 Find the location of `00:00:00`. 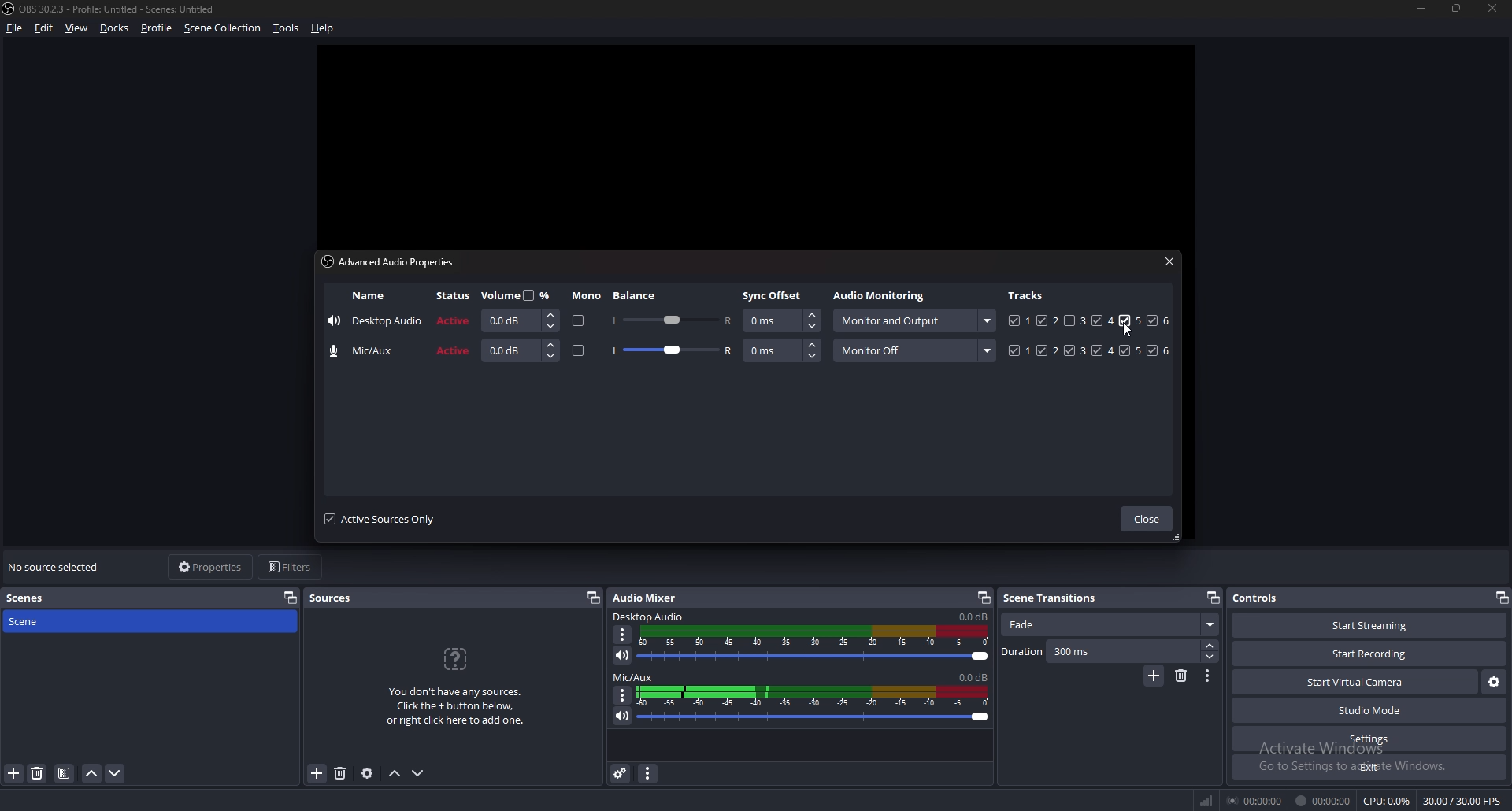

00:00:00 is located at coordinates (1323, 802).